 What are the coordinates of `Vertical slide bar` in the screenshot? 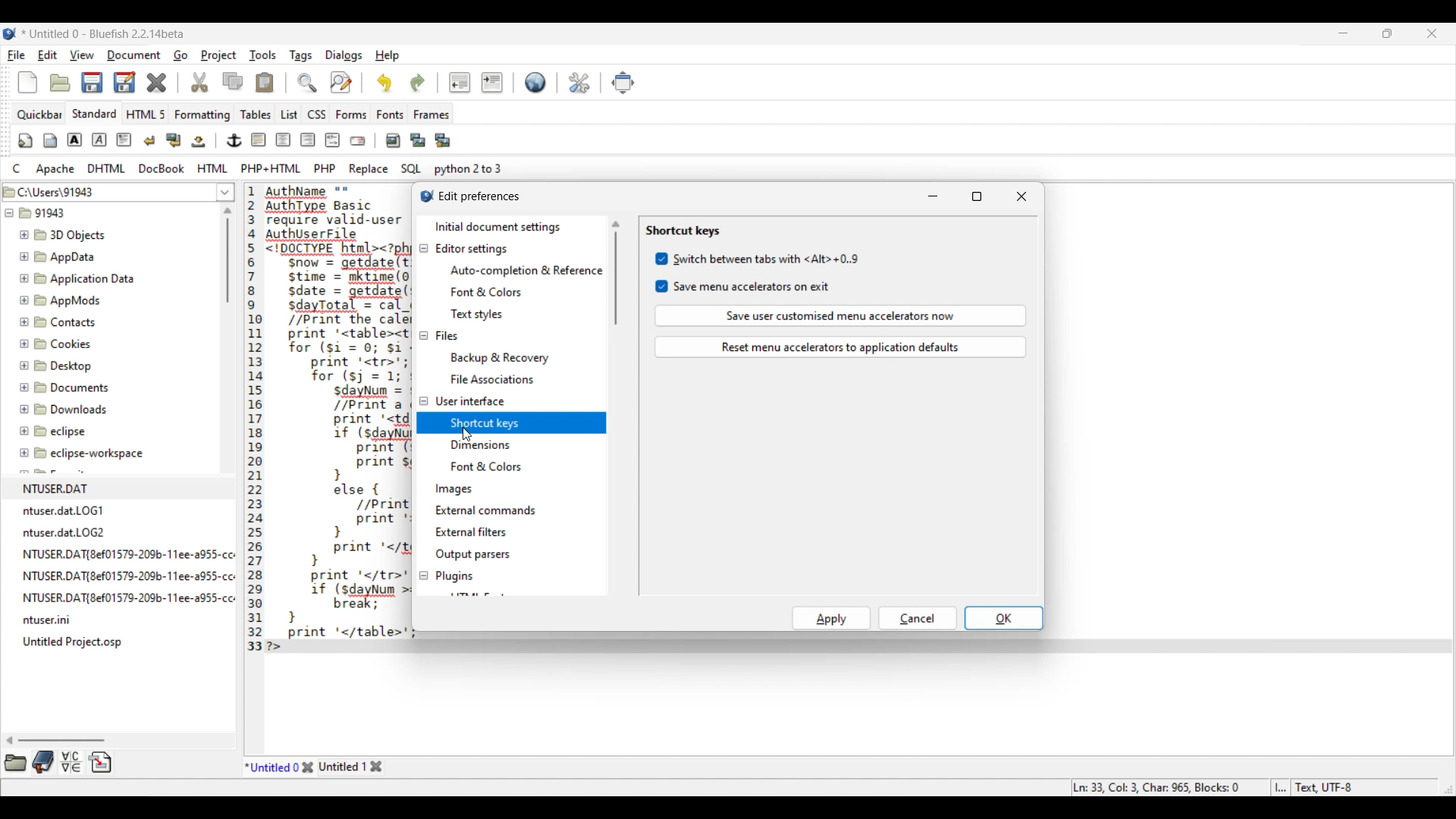 It's located at (227, 255).